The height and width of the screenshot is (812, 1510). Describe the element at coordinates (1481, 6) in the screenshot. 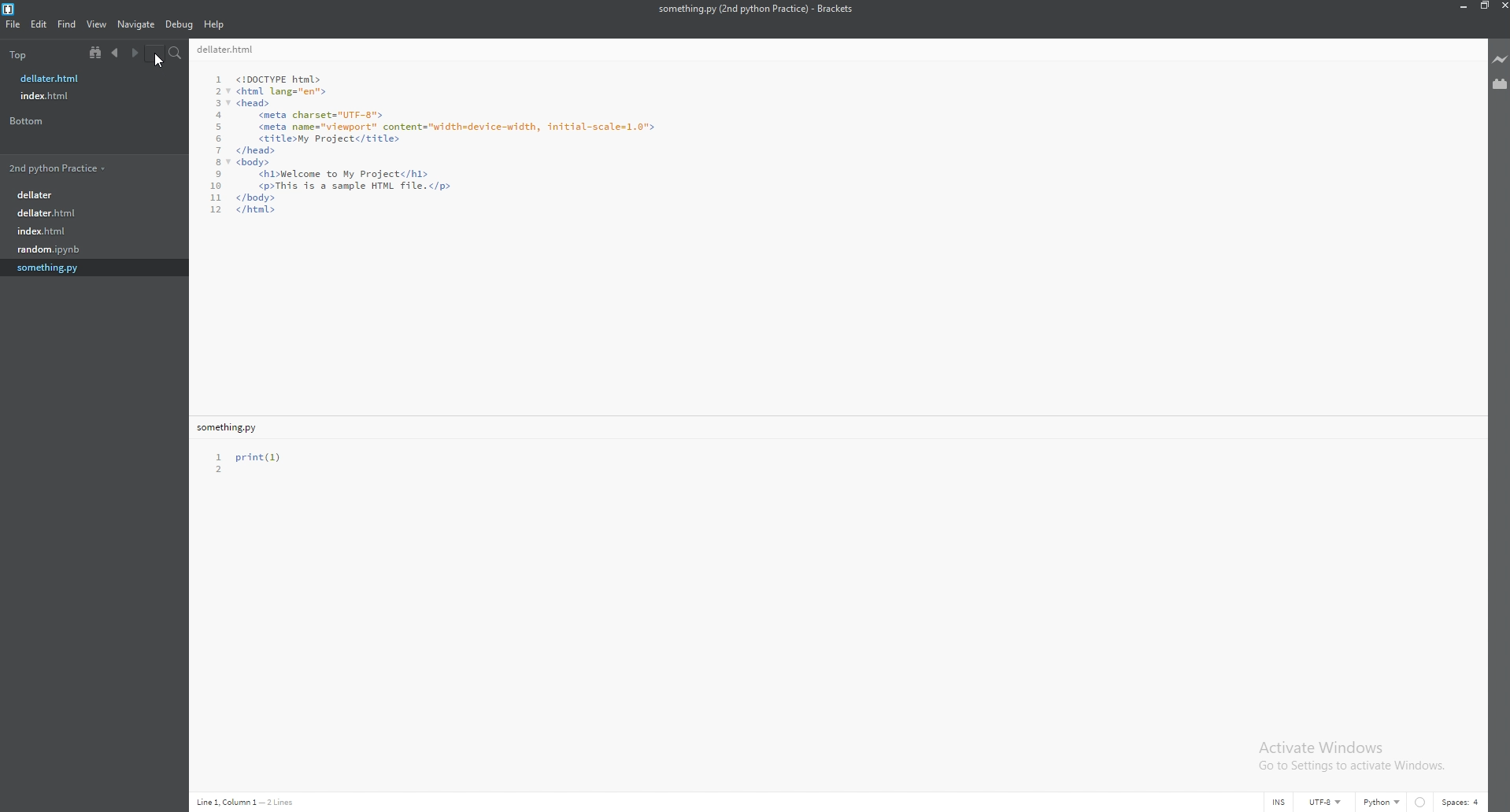

I see `resize` at that location.